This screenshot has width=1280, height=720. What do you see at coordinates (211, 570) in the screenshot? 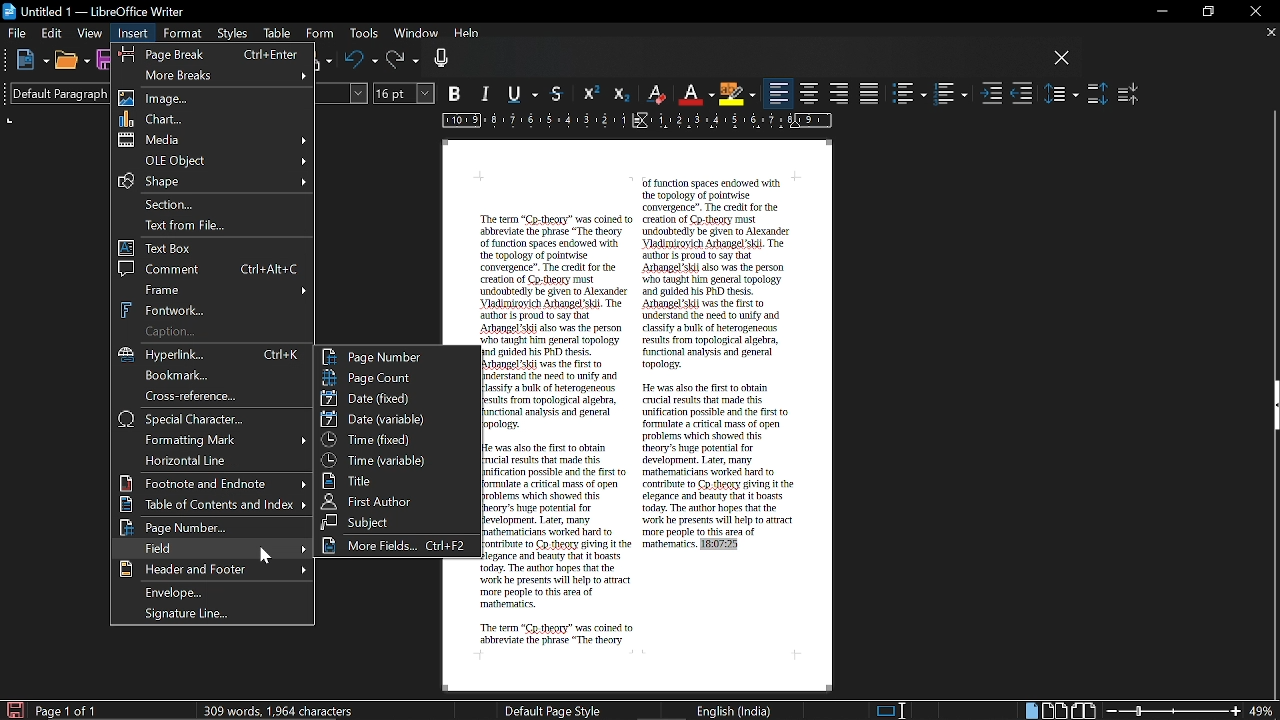
I see `Header and footer` at bounding box center [211, 570].